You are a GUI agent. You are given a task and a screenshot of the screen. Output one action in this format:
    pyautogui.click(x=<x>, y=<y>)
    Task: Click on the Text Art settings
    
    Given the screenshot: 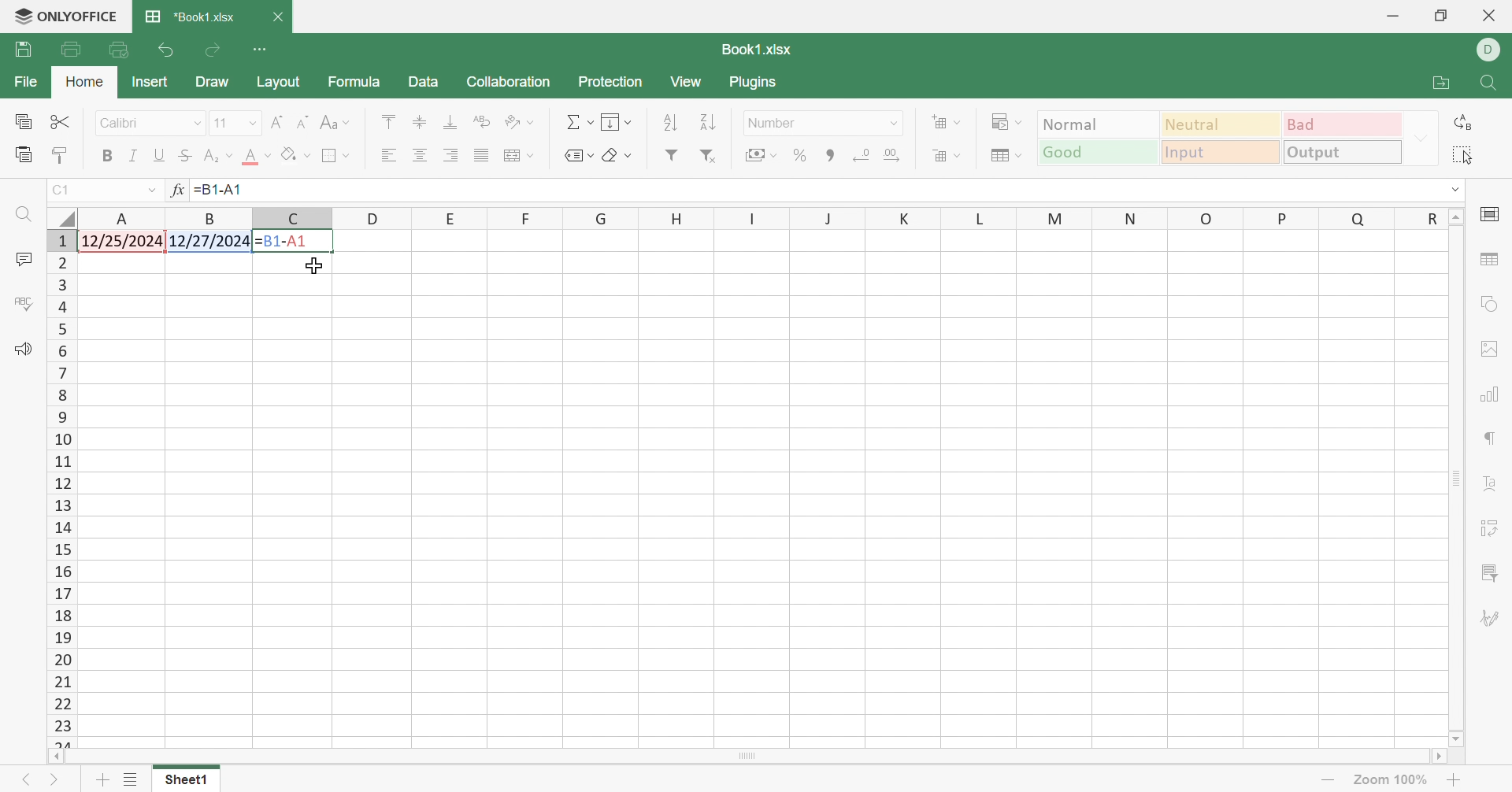 What is the action you would take?
    pyautogui.click(x=1485, y=485)
    